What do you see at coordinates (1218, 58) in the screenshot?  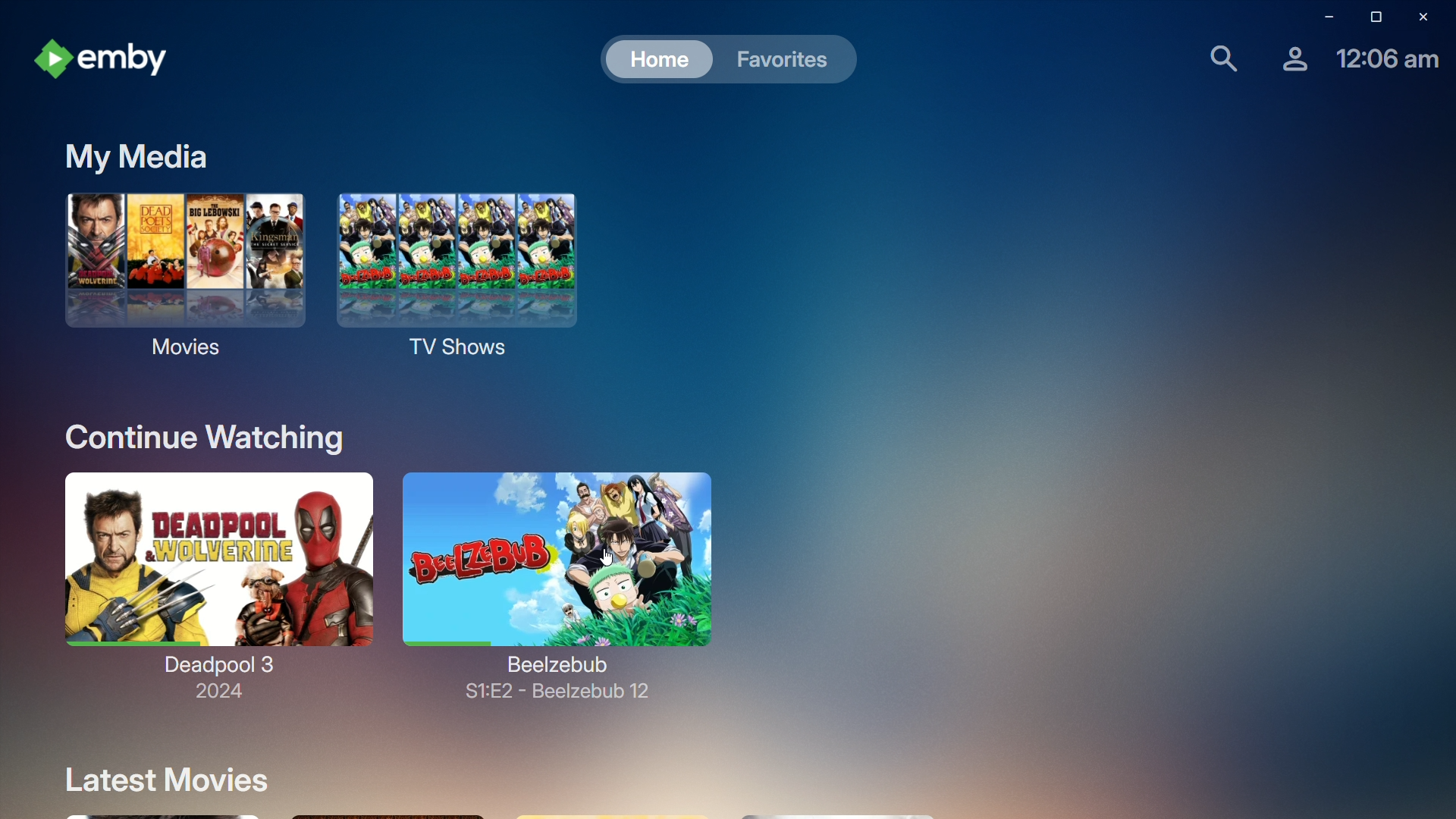 I see `Find` at bounding box center [1218, 58].